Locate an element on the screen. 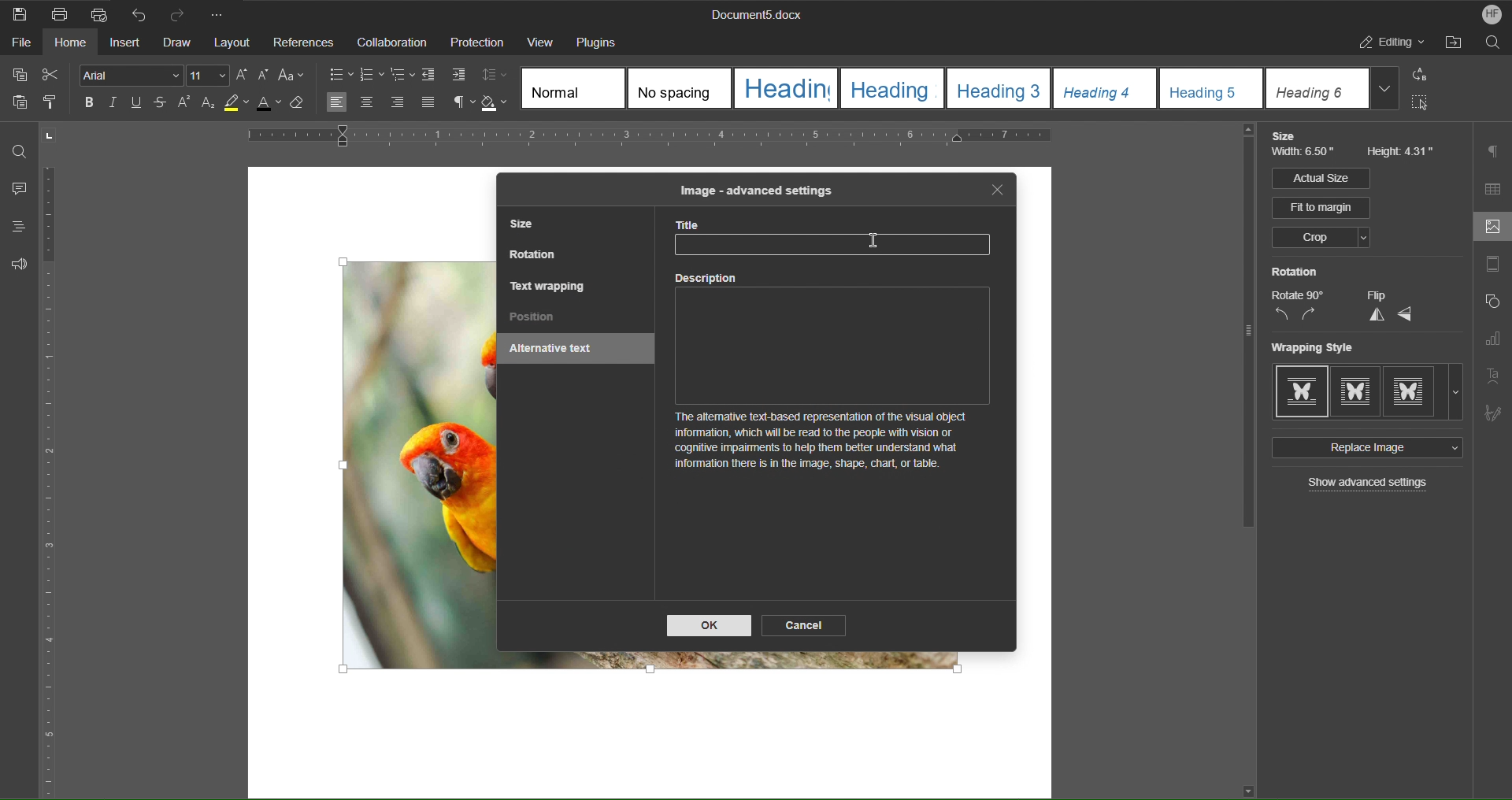 The width and height of the screenshot is (1512, 800). Table Settings is located at coordinates (1493, 189).